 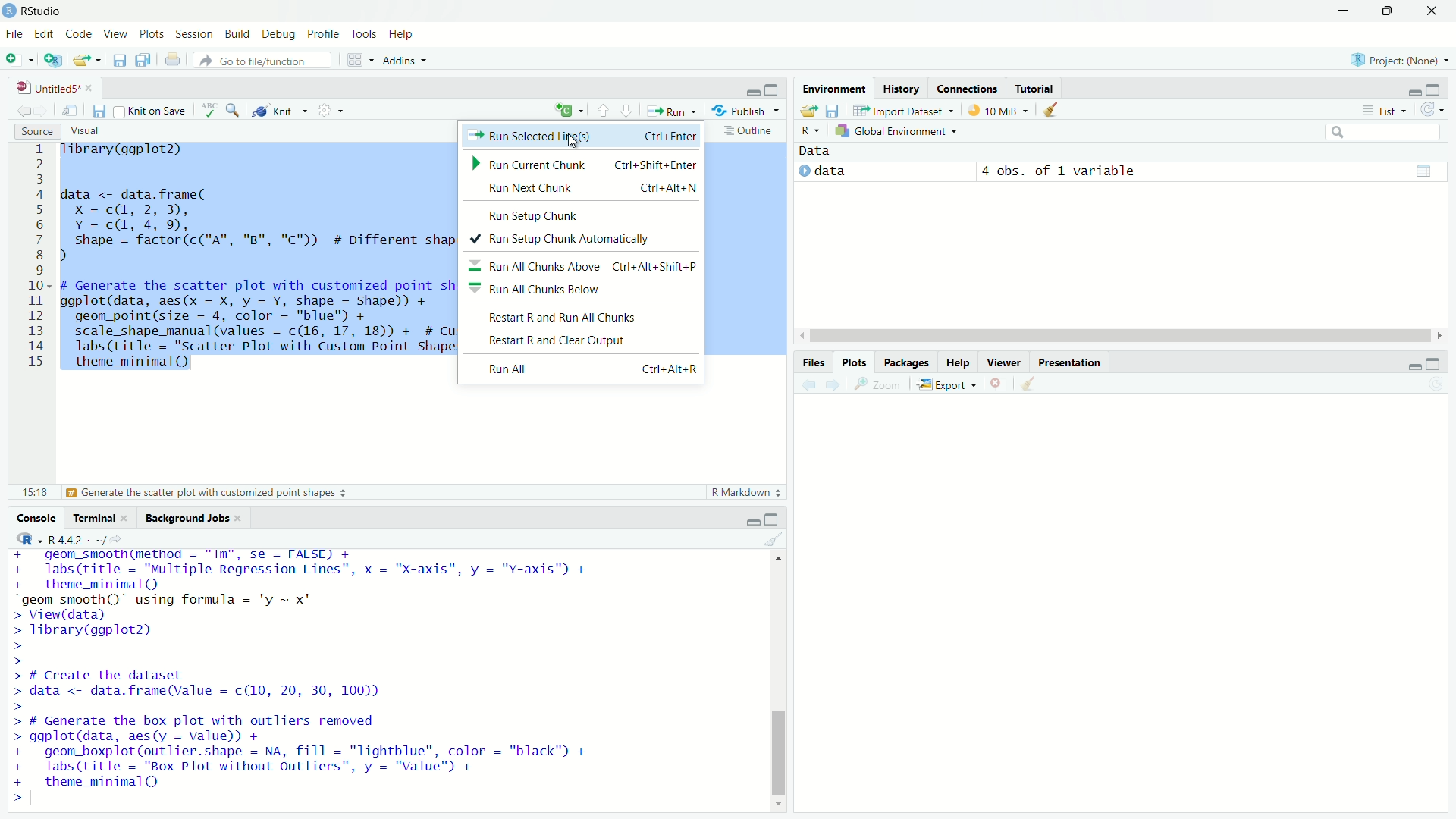 What do you see at coordinates (579, 237) in the screenshot?
I see `Run Setup Chunk Automatically` at bounding box center [579, 237].